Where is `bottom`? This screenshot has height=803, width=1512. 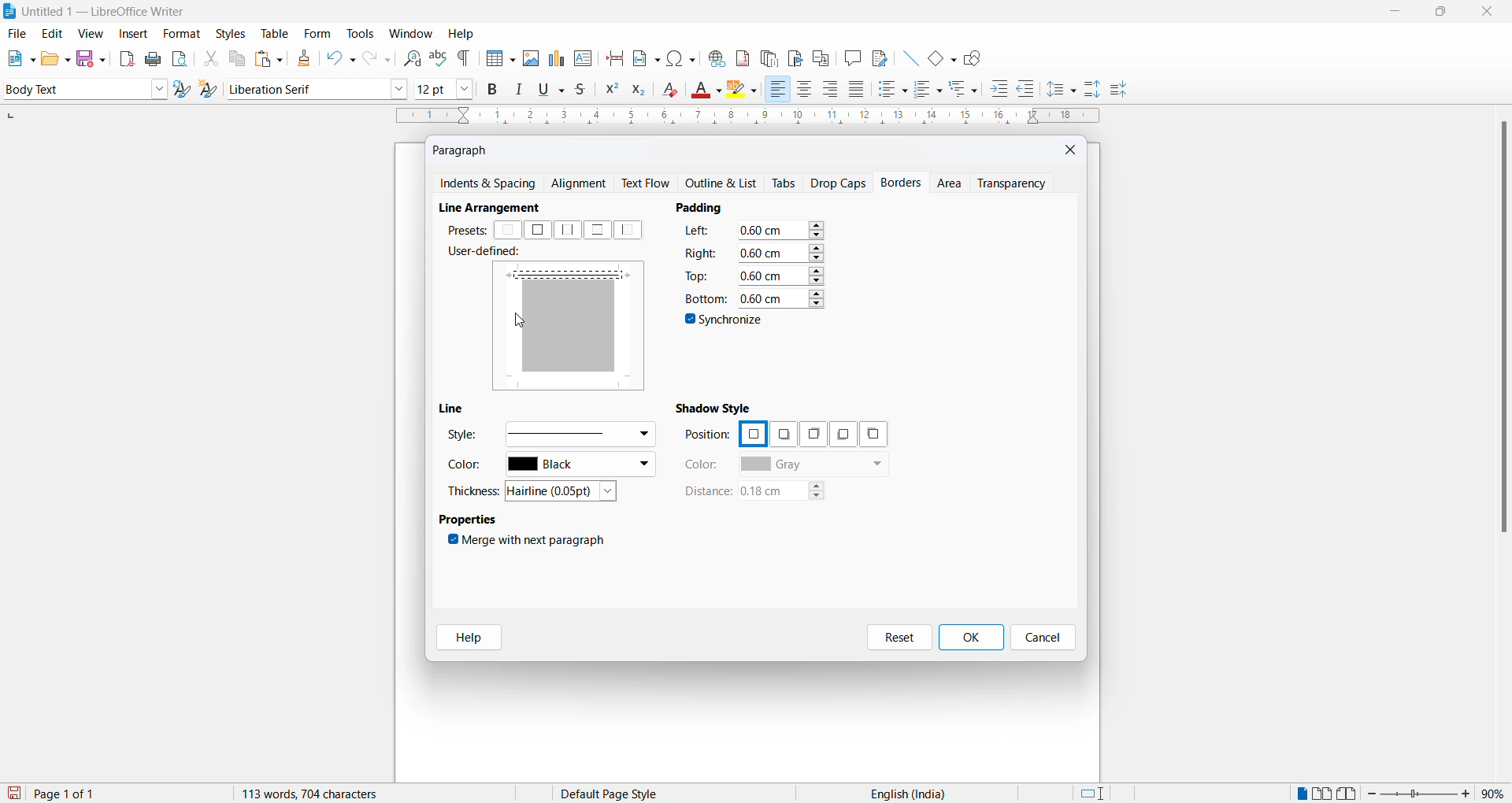 bottom is located at coordinates (704, 298).